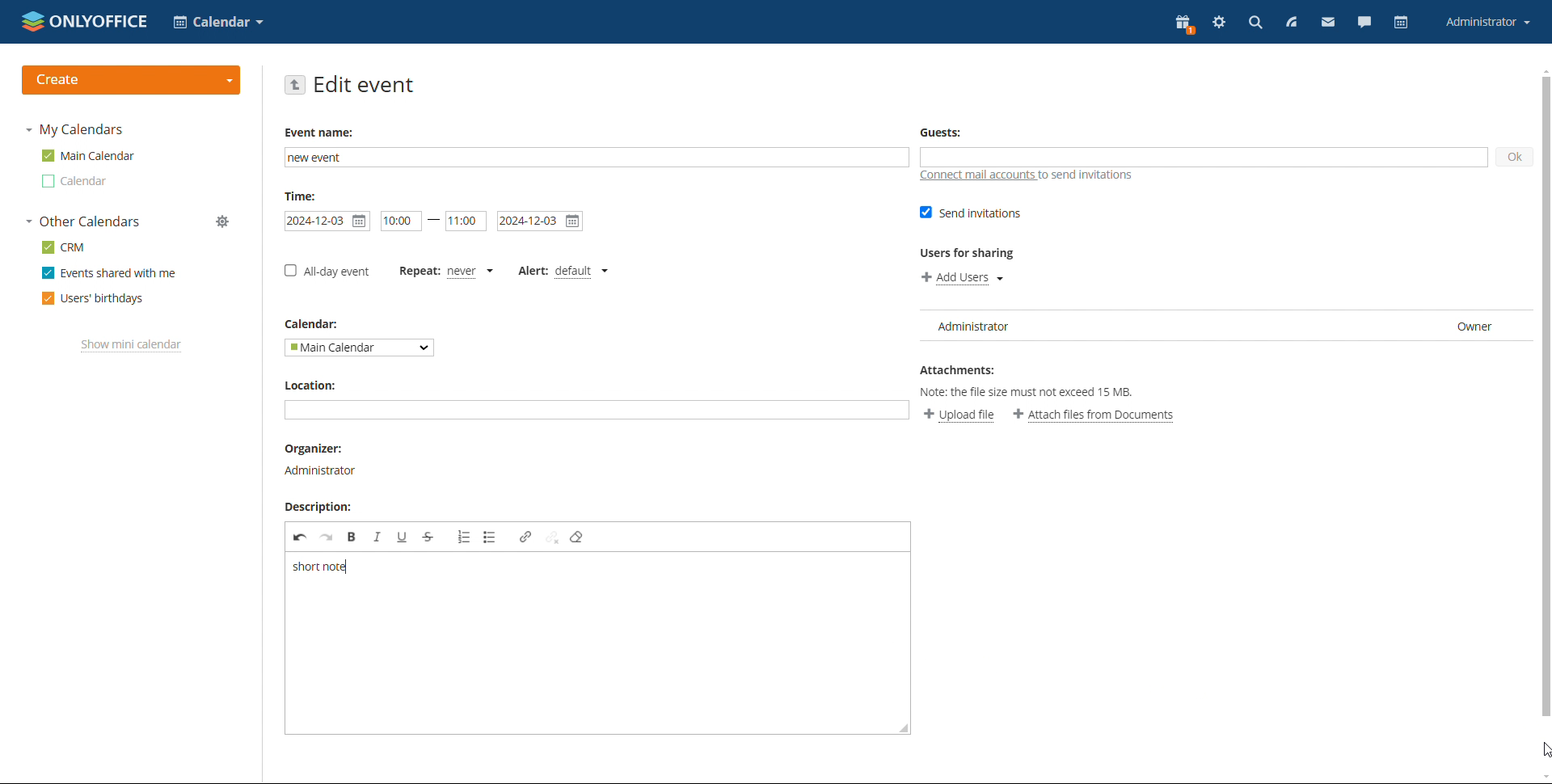 This screenshot has width=1552, height=784. I want to click on add guests, so click(1203, 158).